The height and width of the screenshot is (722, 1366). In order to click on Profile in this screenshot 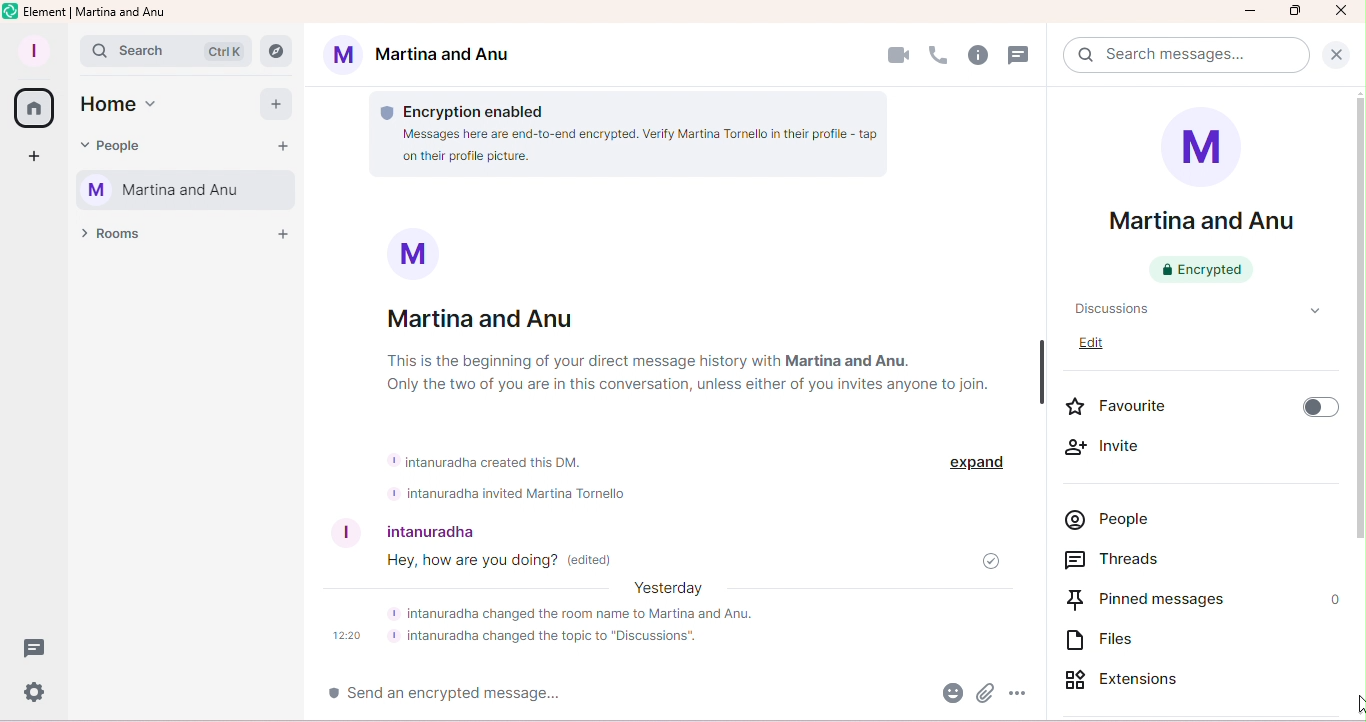, I will do `click(32, 52)`.